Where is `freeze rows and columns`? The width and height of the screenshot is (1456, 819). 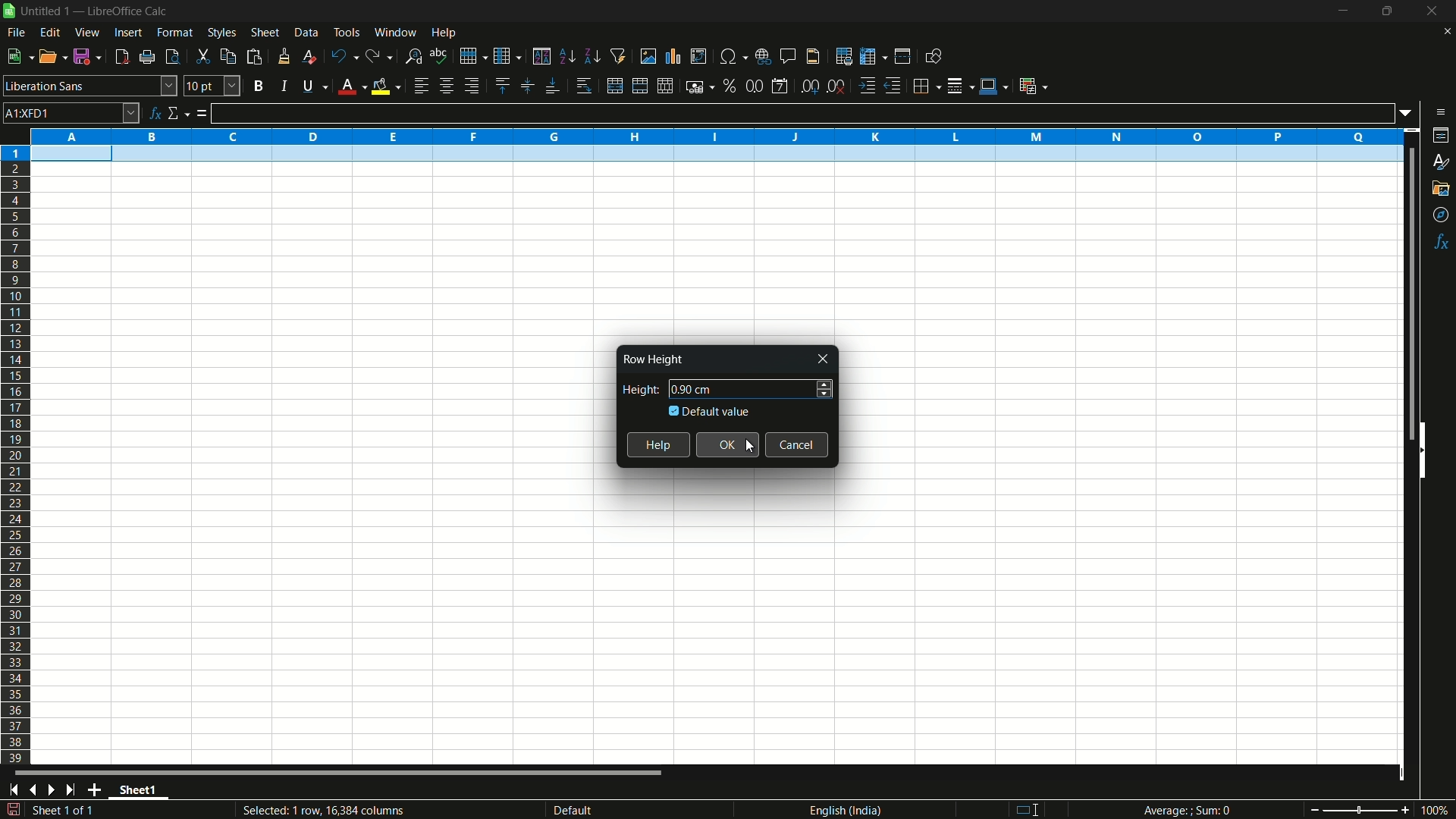
freeze rows and columns is located at coordinates (872, 57).